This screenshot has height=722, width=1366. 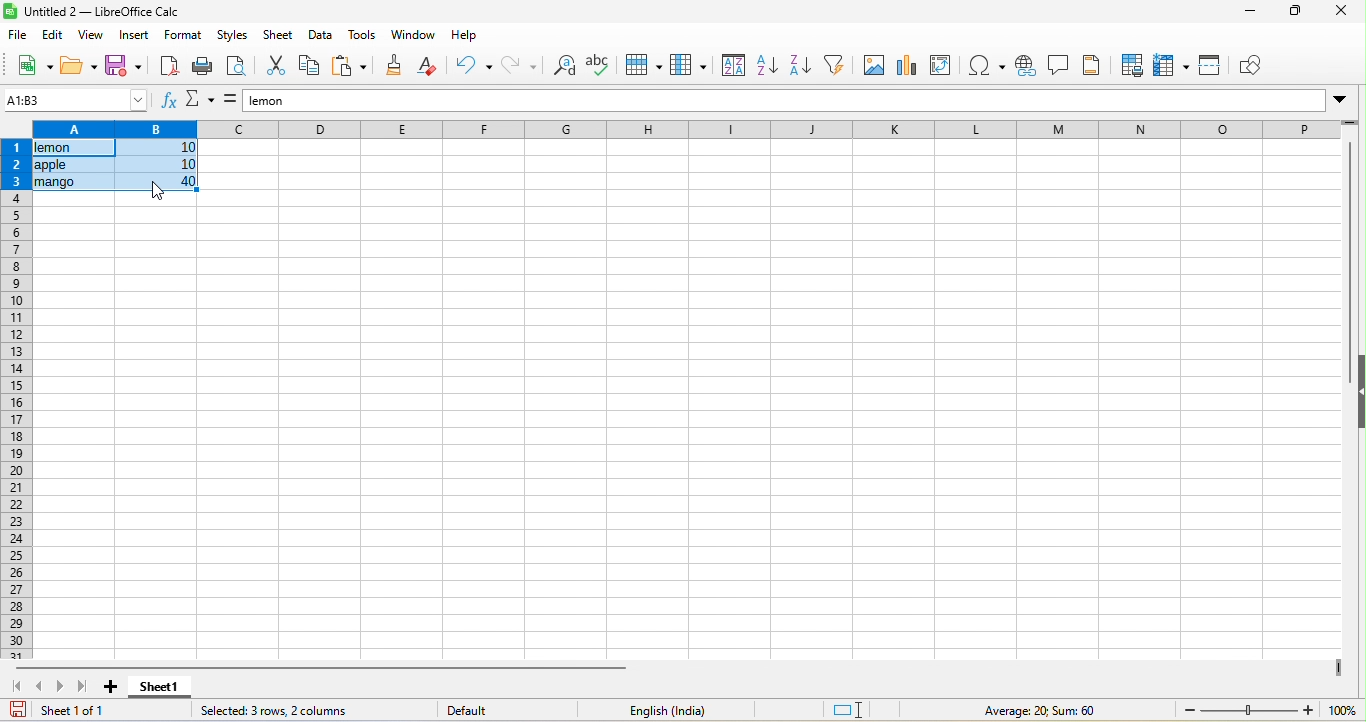 I want to click on sheet 1, so click(x=164, y=687).